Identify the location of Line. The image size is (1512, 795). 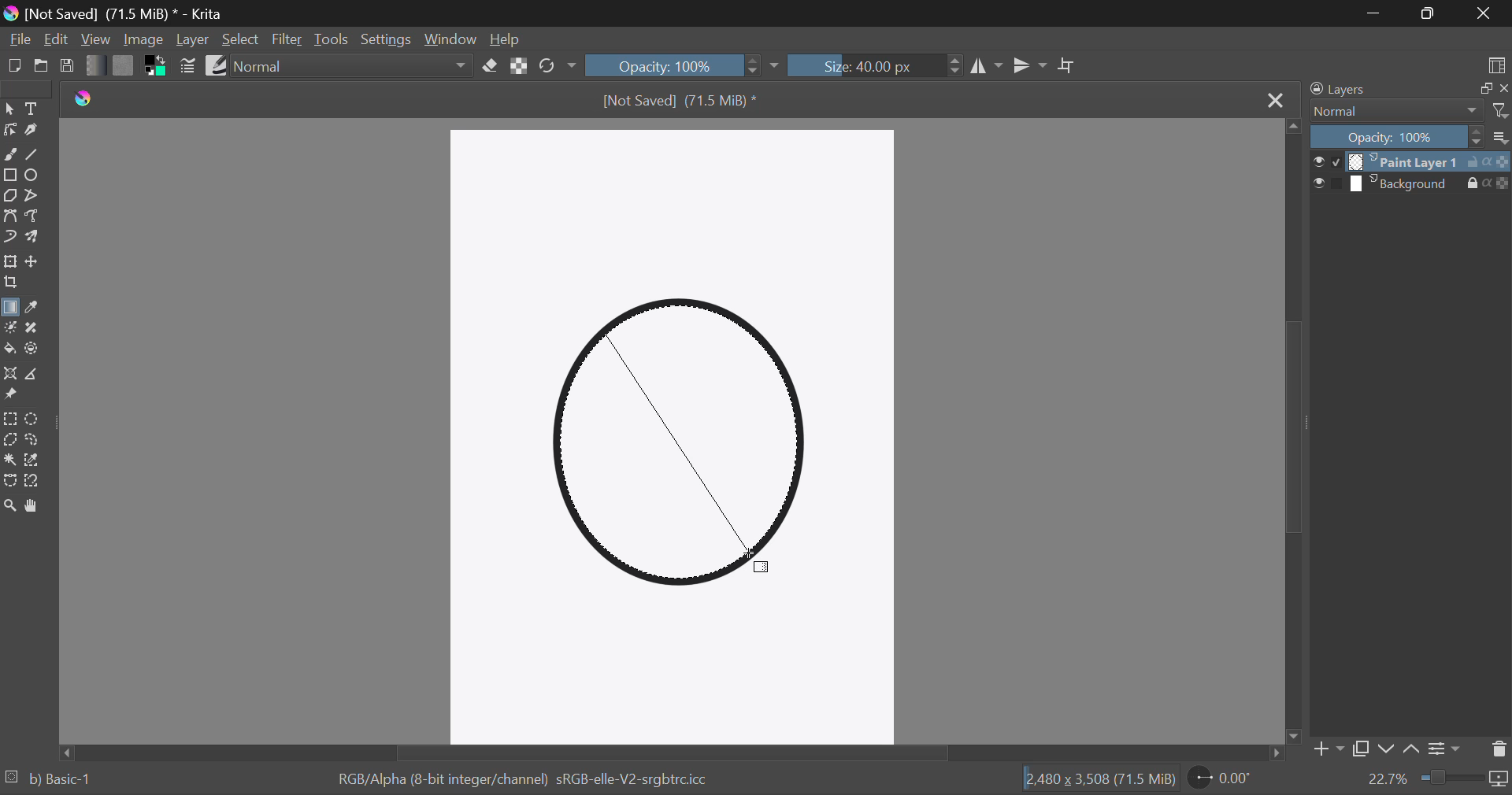
(34, 155).